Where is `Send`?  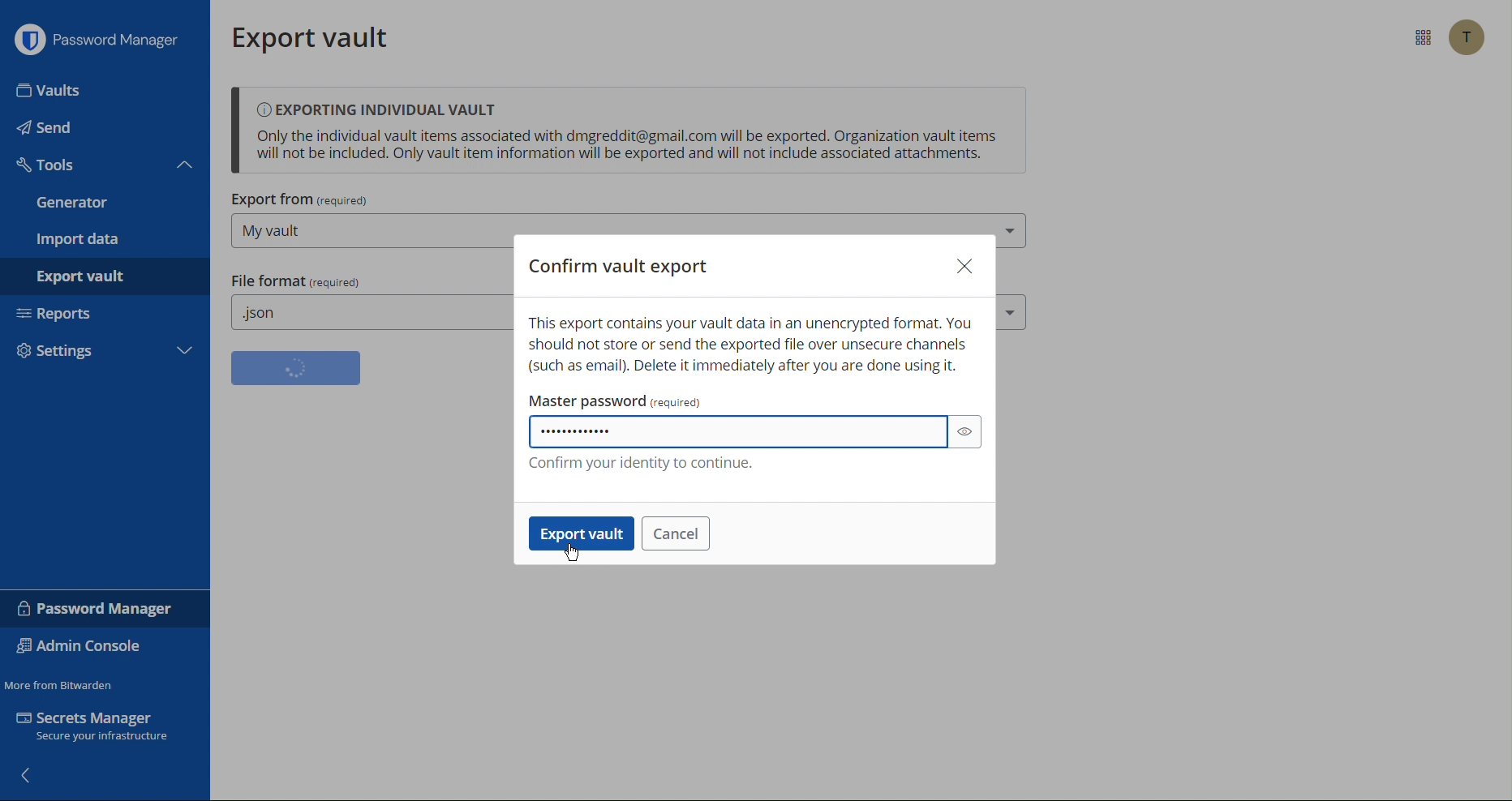 Send is located at coordinates (105, 127).